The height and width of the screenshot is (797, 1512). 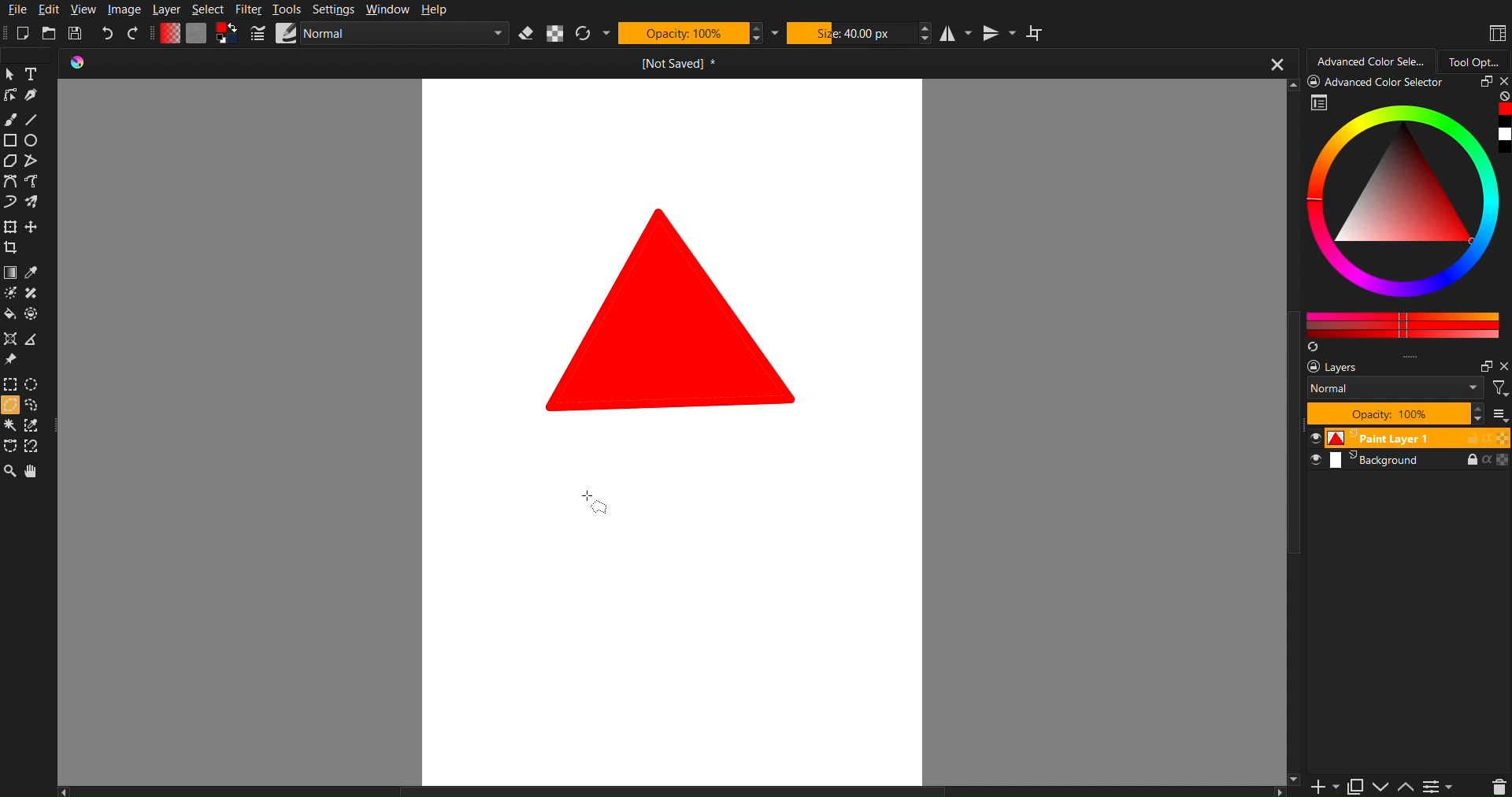 I want to click on Down, so click(x=1381, y=787).